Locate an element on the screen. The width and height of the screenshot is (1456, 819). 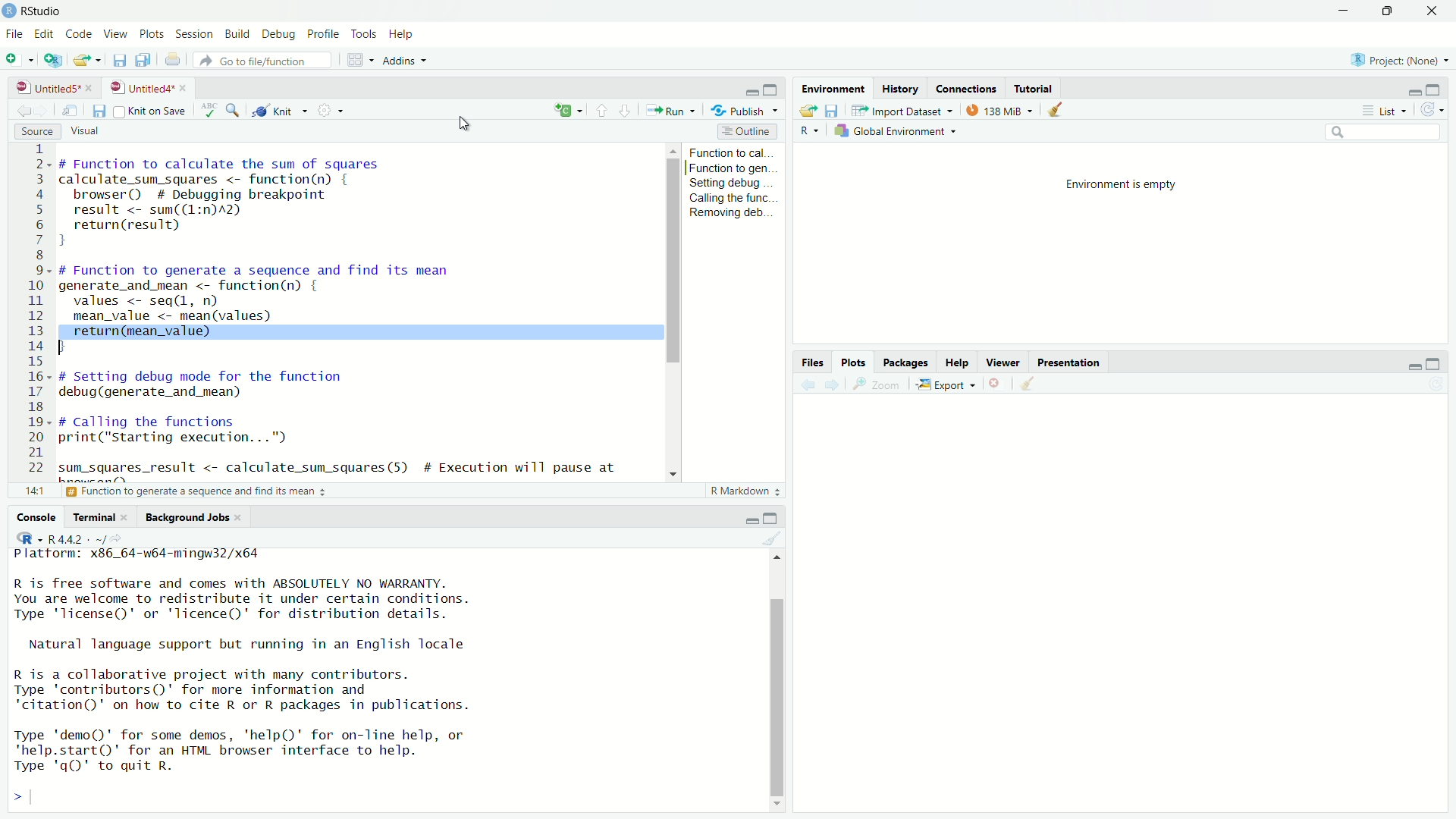
connections is located at coordinates (965, 87).